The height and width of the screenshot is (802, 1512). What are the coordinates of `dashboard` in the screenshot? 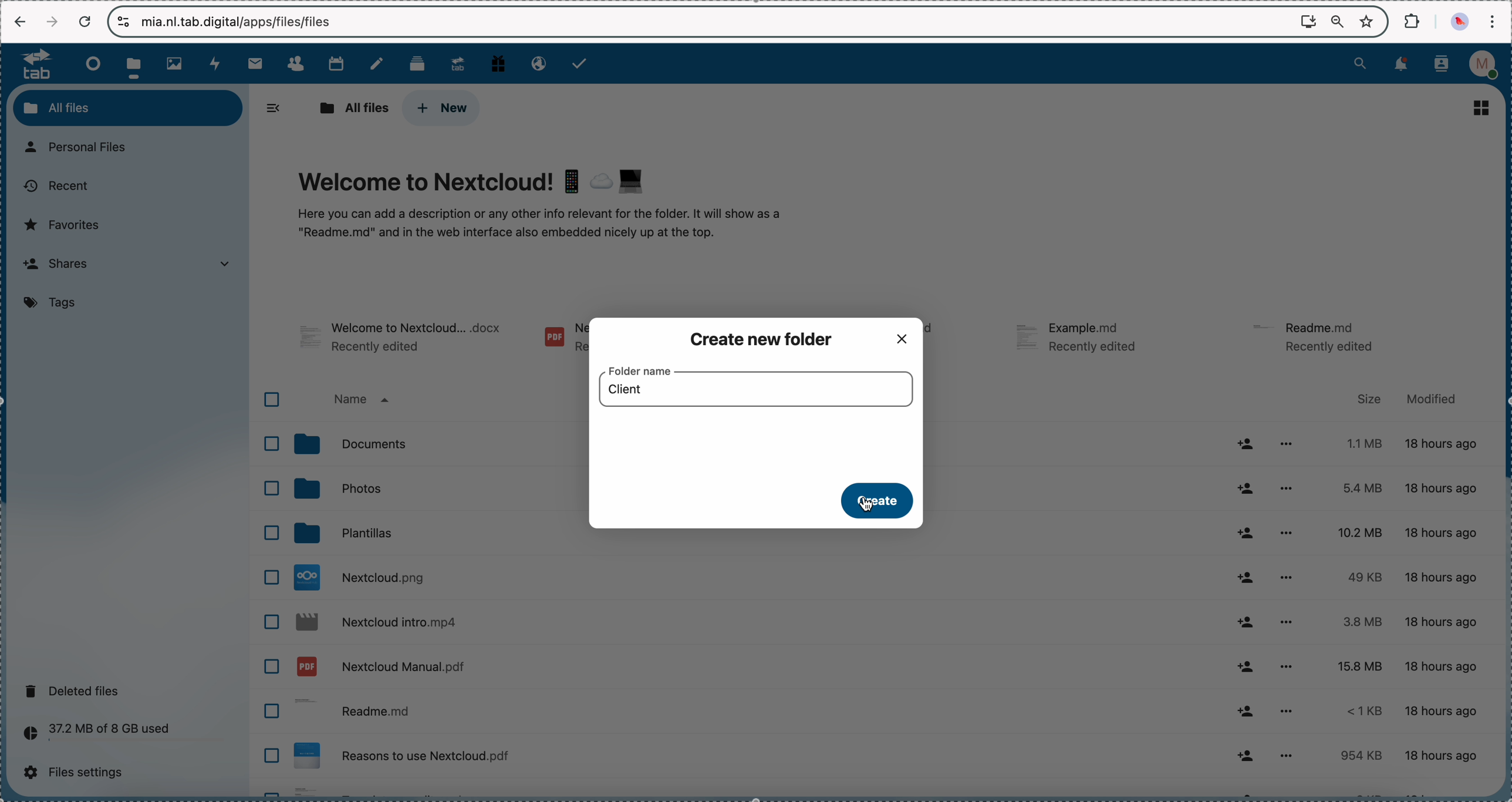 It's located at (90, 63).